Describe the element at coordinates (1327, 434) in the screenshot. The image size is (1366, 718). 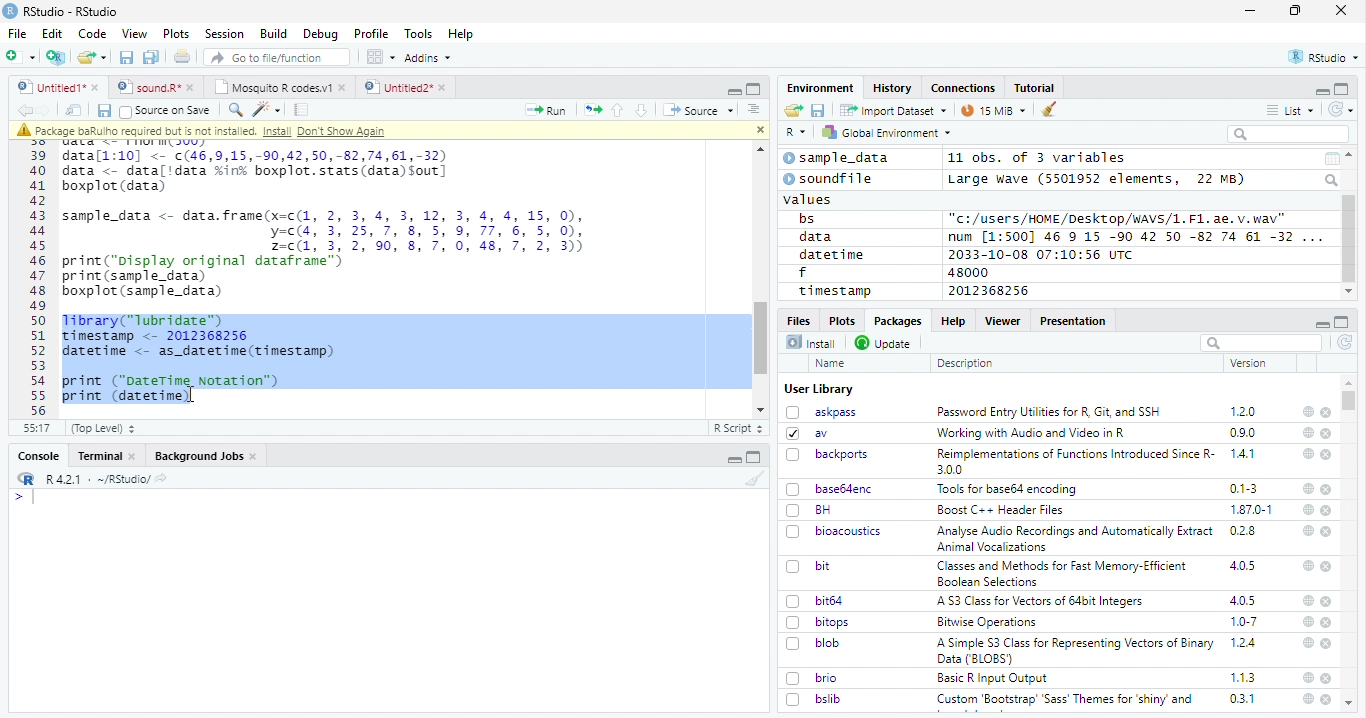
I see `close` at that location.